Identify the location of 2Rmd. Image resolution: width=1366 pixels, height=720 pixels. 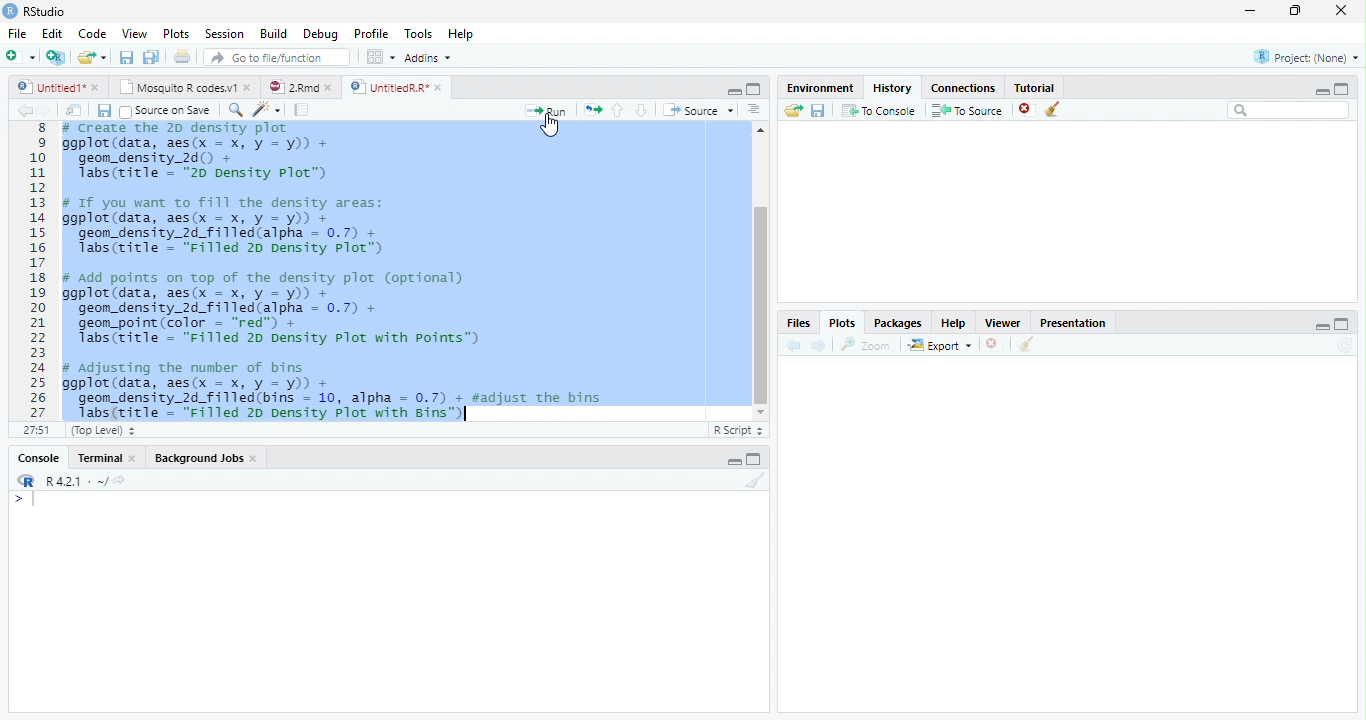
(292, 86).